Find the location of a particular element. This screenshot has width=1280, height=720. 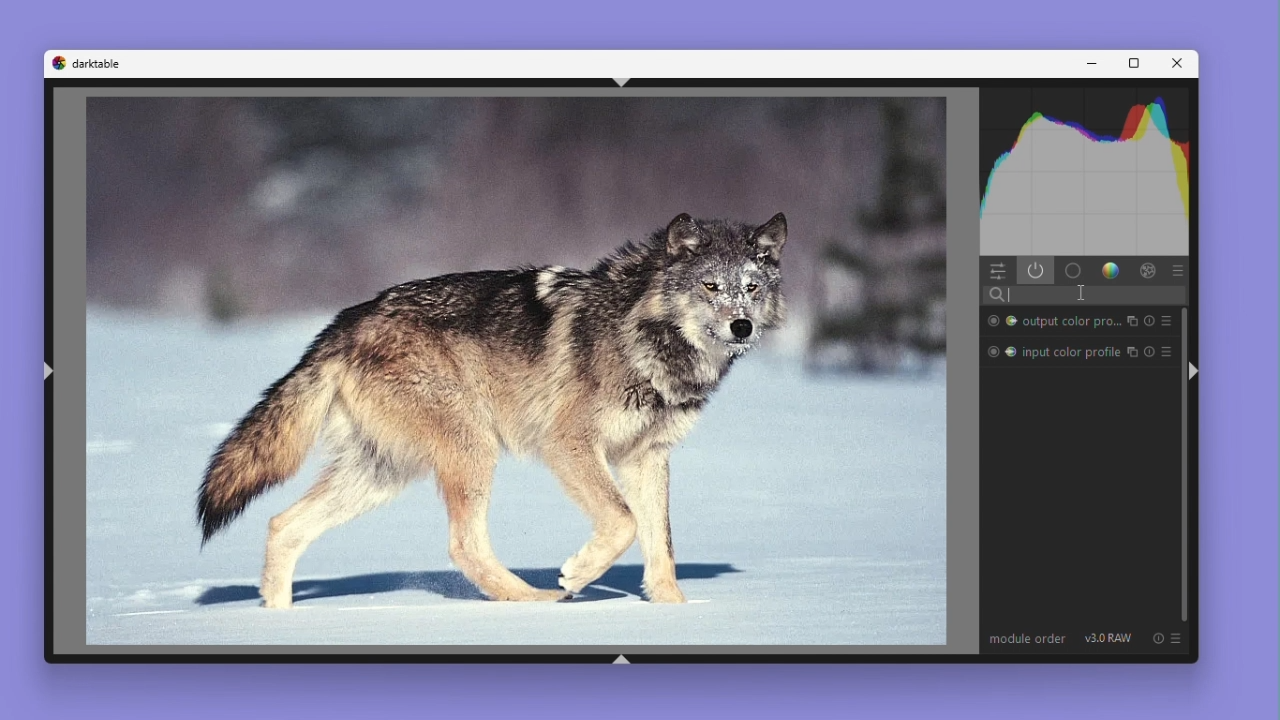

reset is located at coordinates (1150, 353).